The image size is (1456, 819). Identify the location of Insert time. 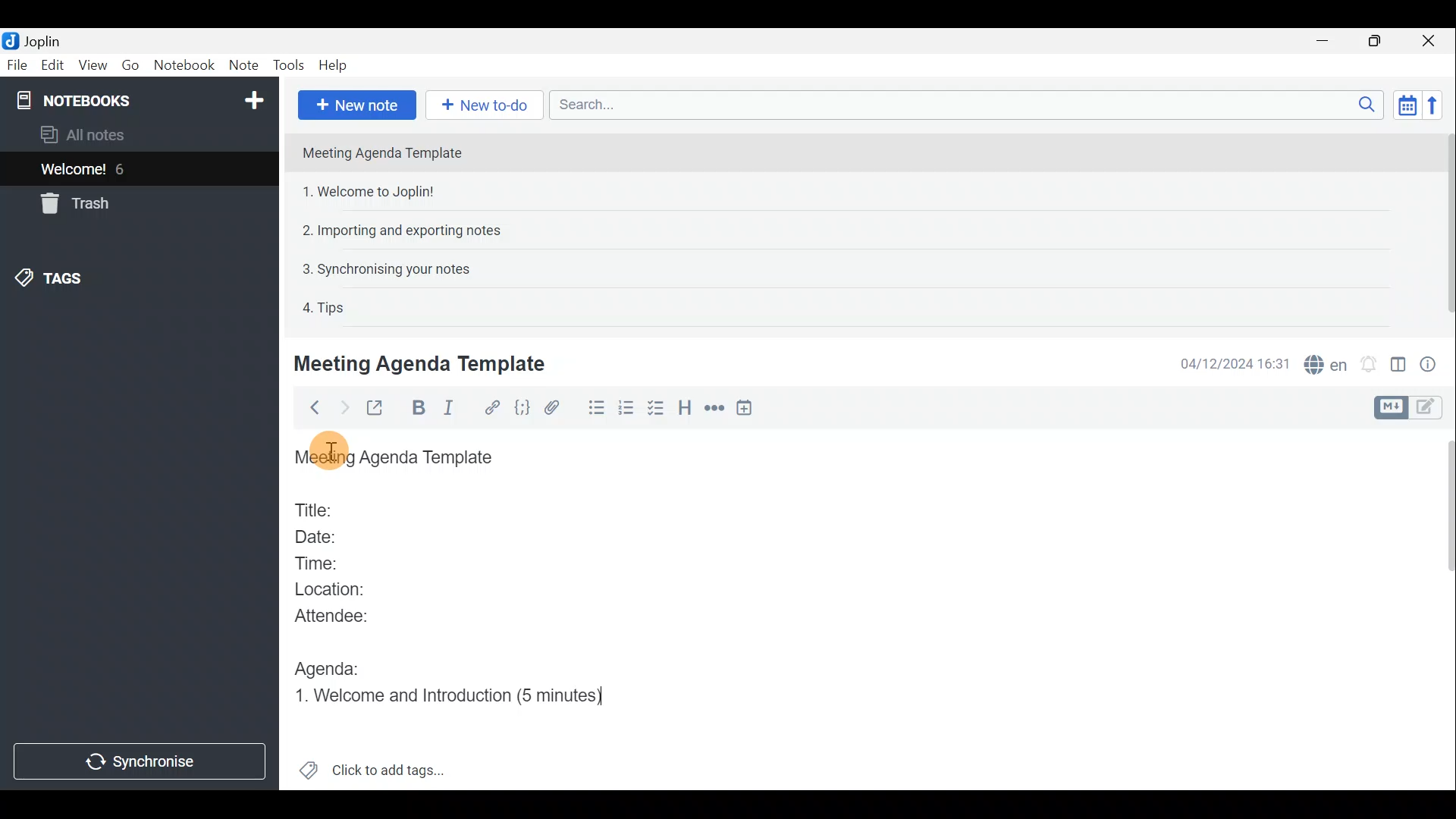
(748, 410).